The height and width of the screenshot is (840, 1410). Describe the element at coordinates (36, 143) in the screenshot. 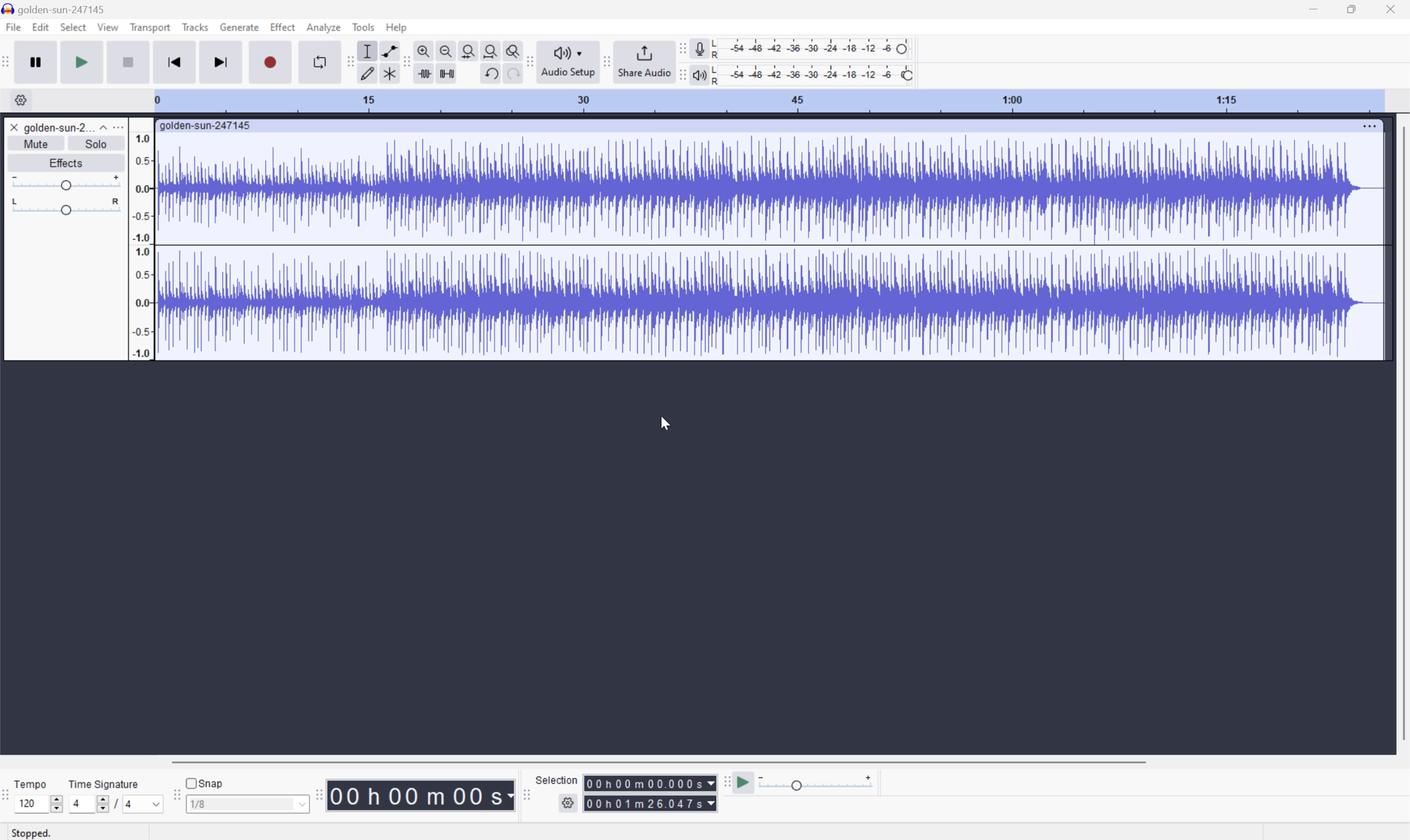

I see `Mute` at that location.